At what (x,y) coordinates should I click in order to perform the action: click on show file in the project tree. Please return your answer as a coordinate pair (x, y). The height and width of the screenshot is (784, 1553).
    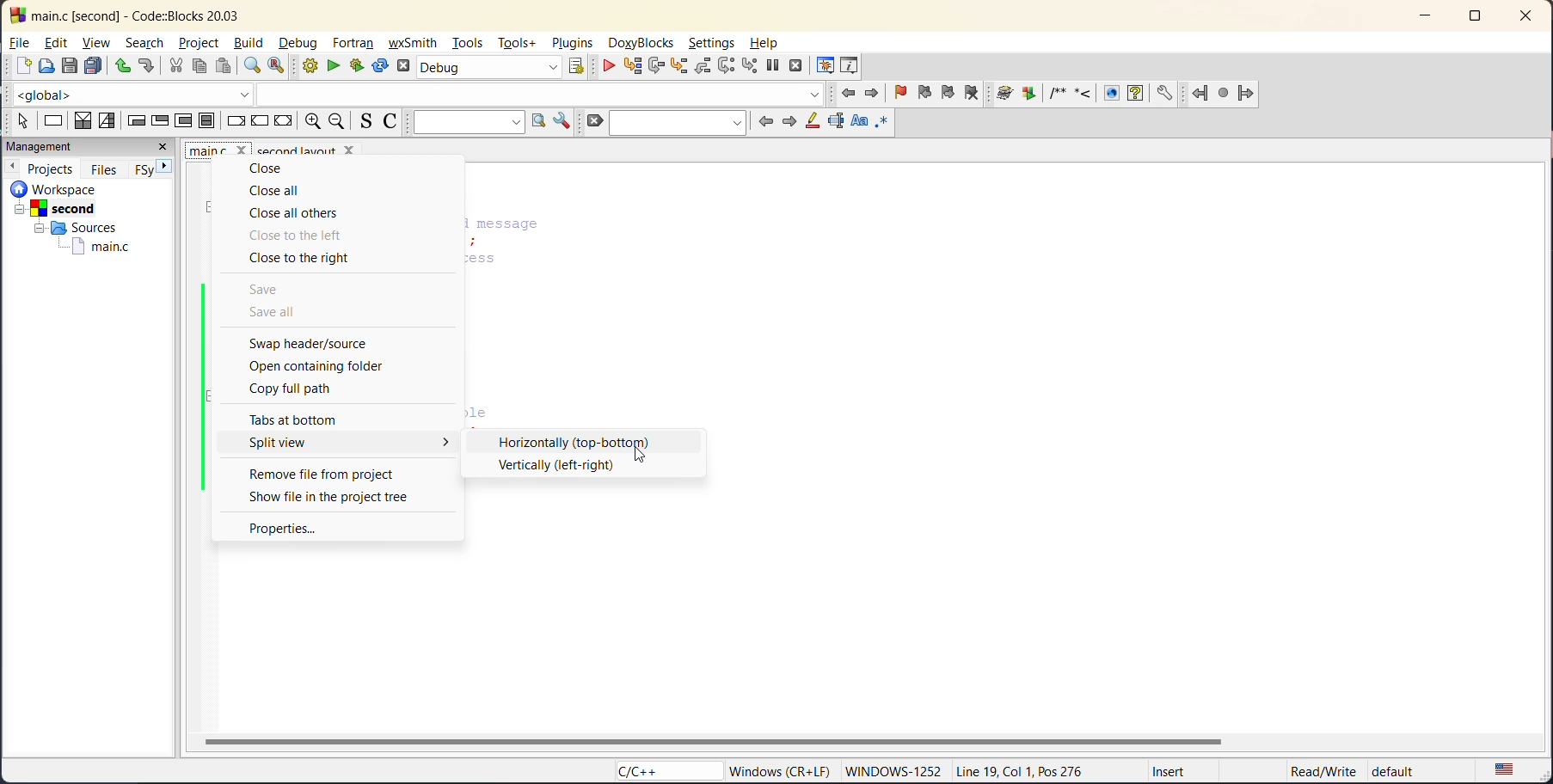
    Looking at the image, I should click on (332, 496).